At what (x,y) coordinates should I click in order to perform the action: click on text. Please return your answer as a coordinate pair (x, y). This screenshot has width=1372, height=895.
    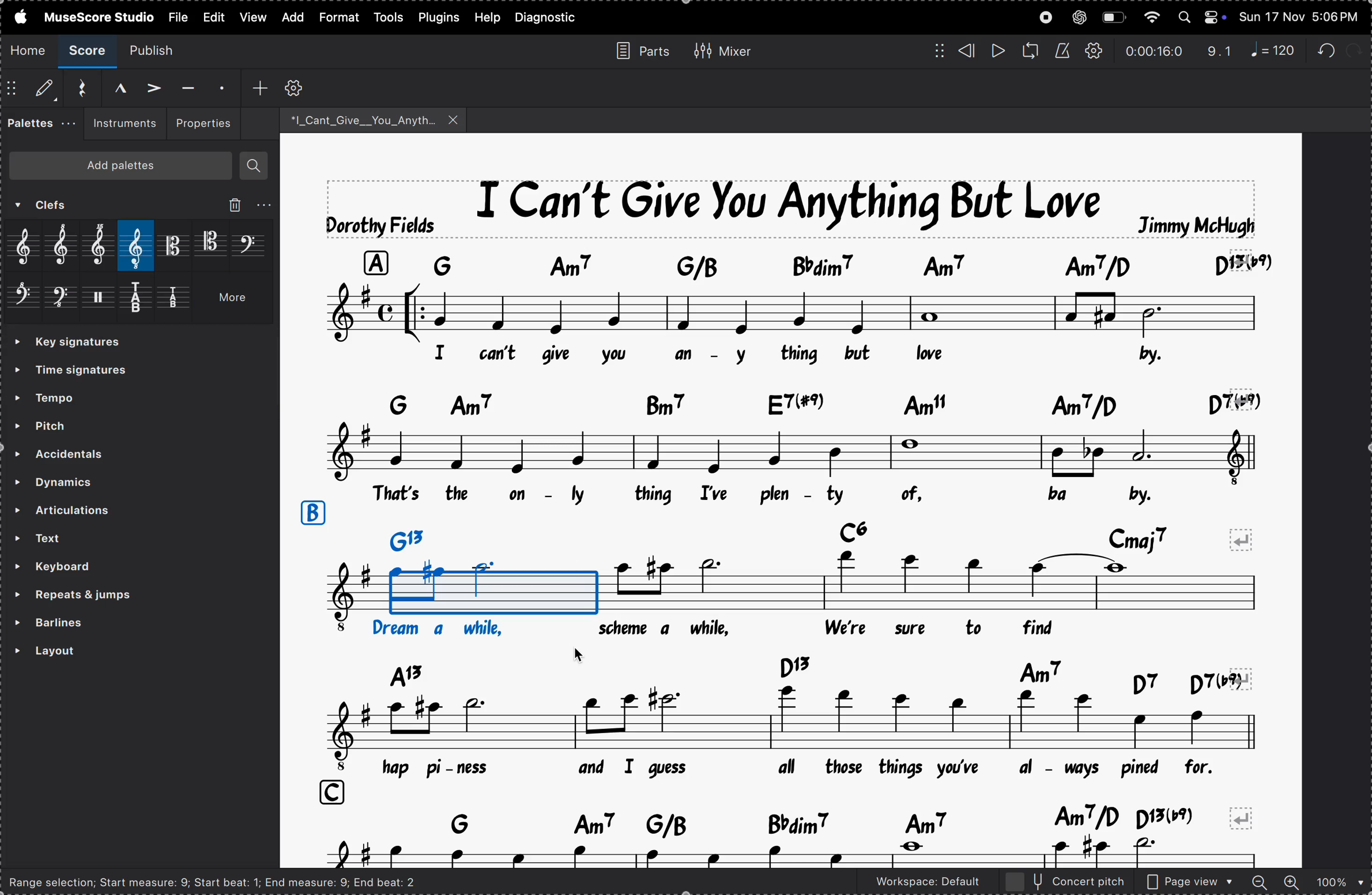
    Looking at the image, I should click on (118, 538).